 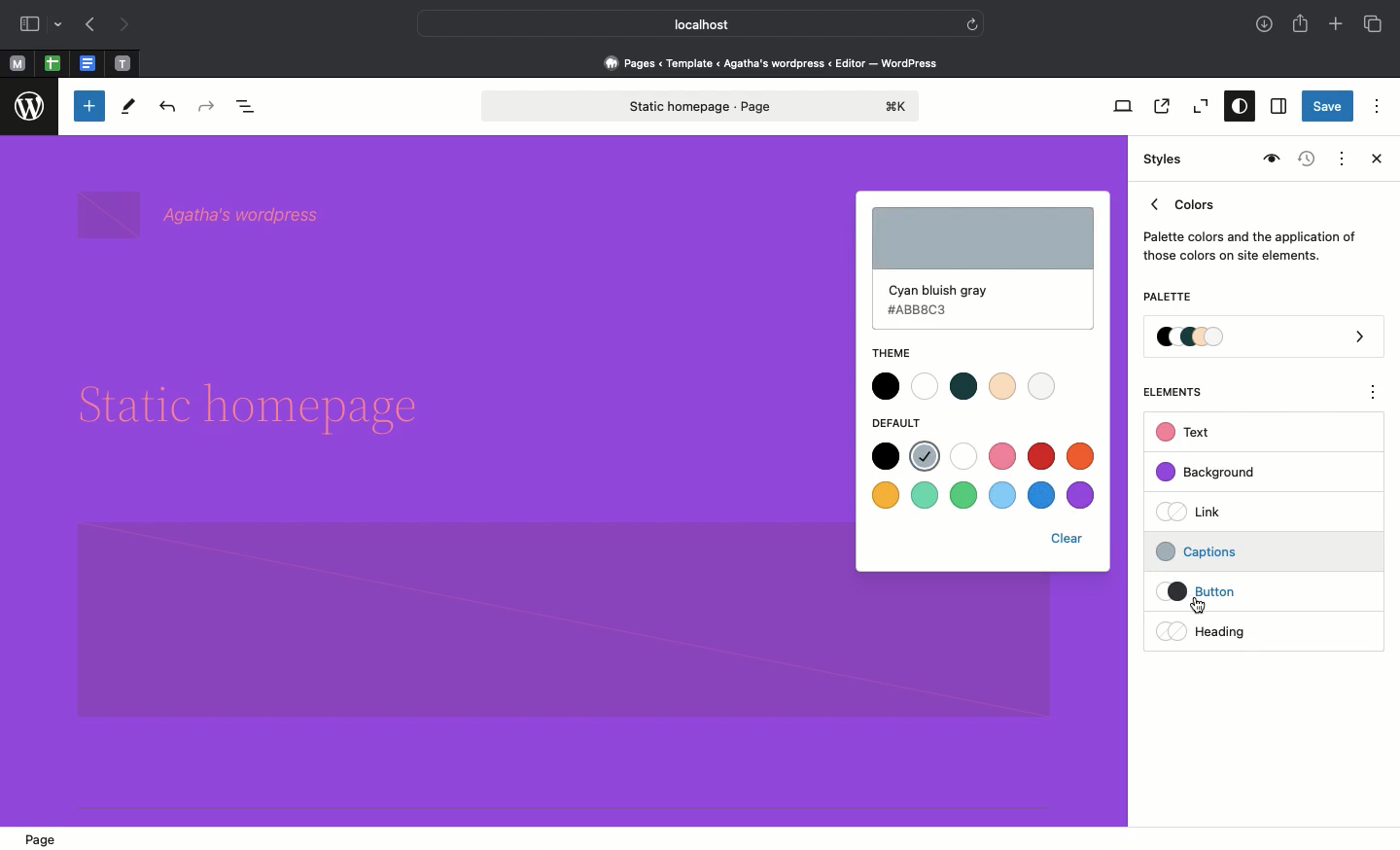 I want to click on Document overview, so click(x=250, y=108).